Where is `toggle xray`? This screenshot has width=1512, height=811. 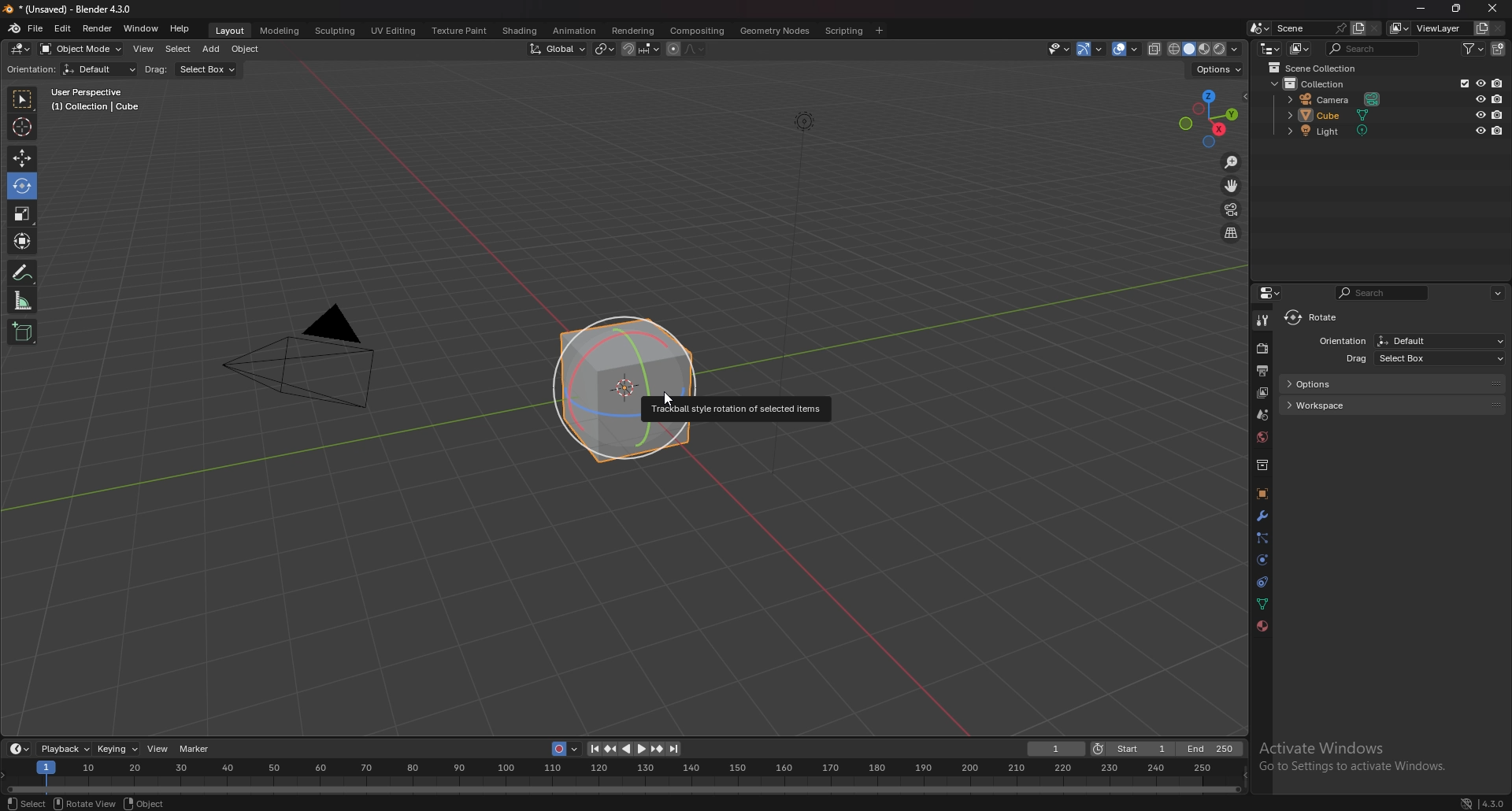
toggle xray is located at coordinates (1155, 49).